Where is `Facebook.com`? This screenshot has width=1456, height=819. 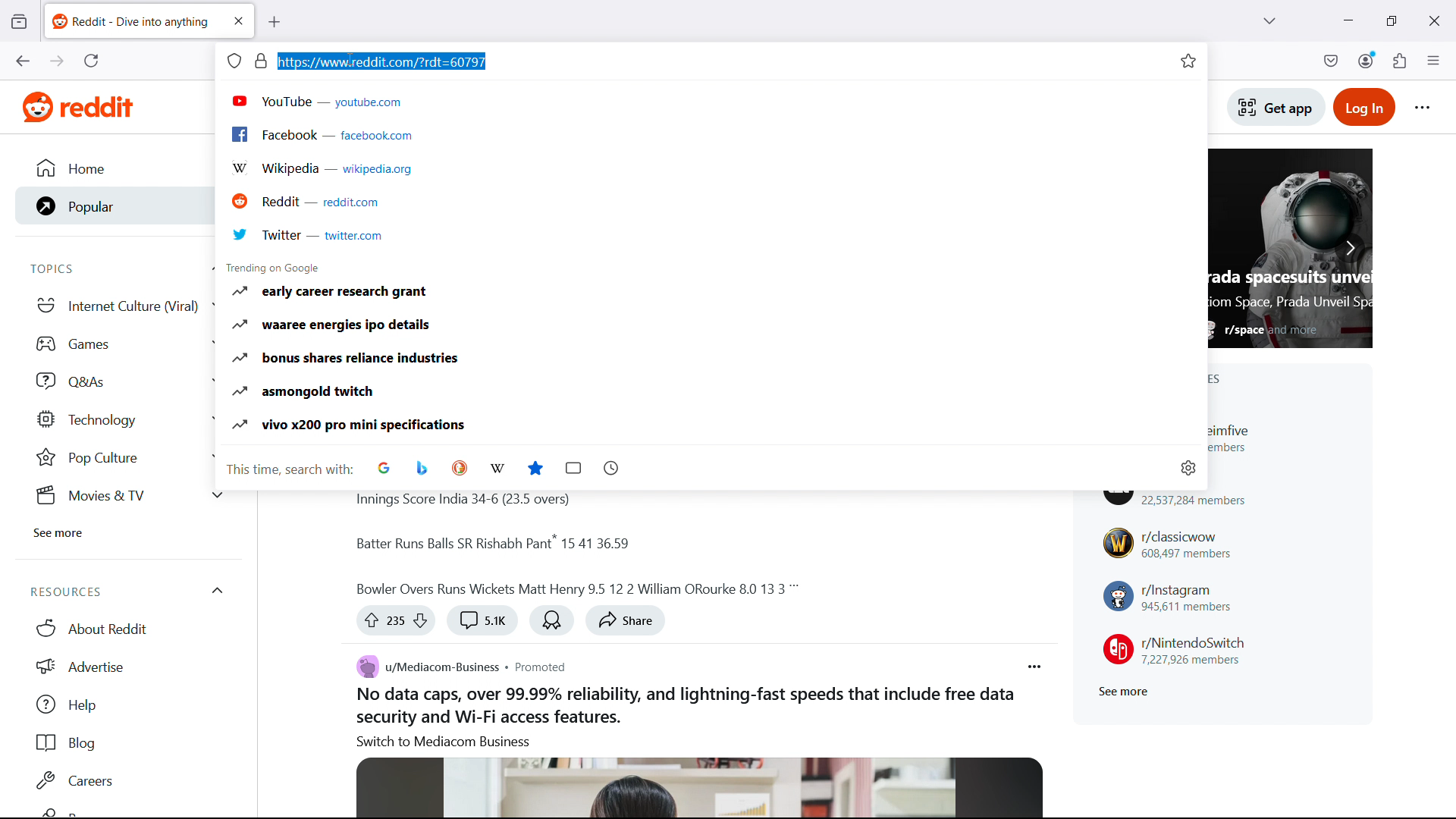 Facebook.com is located at coordinates (713, 132).